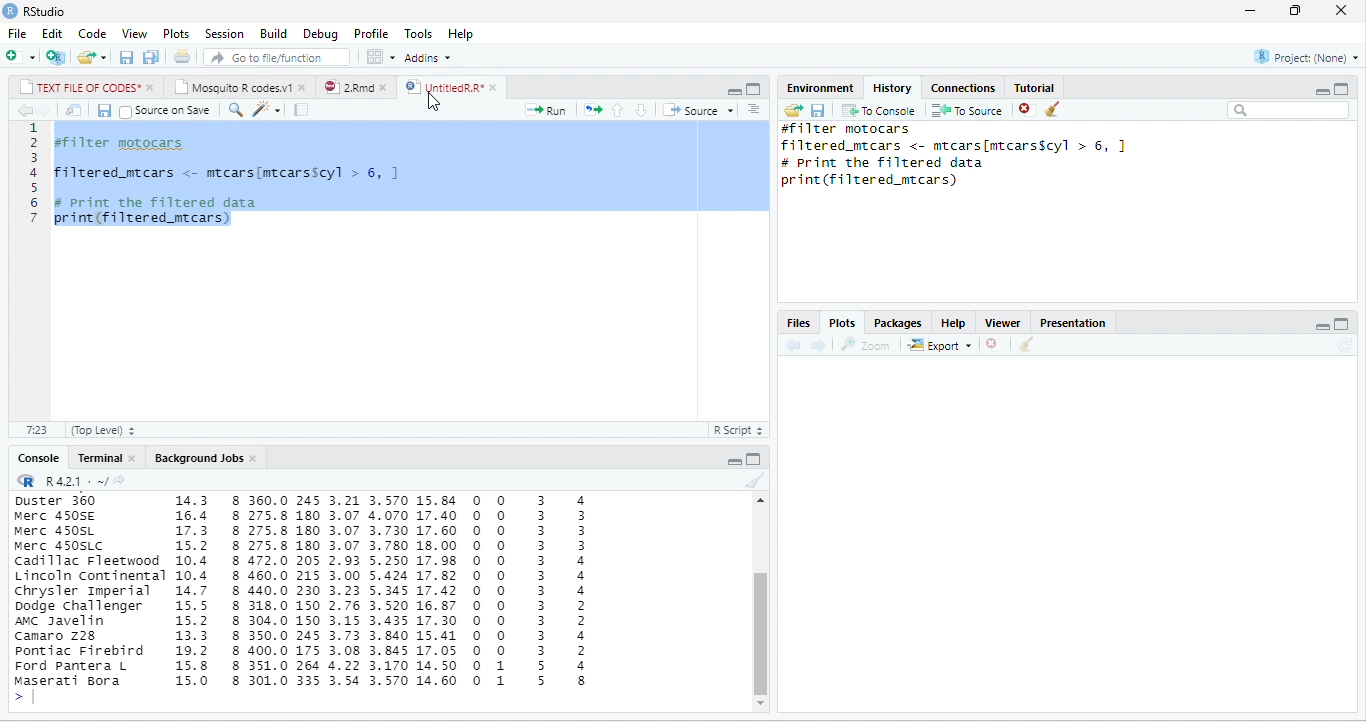  Describe the element at coordinates (164, 212) in the screenshot. I see `# print the filtered dataprint(filtered_mtcars)` at that location.